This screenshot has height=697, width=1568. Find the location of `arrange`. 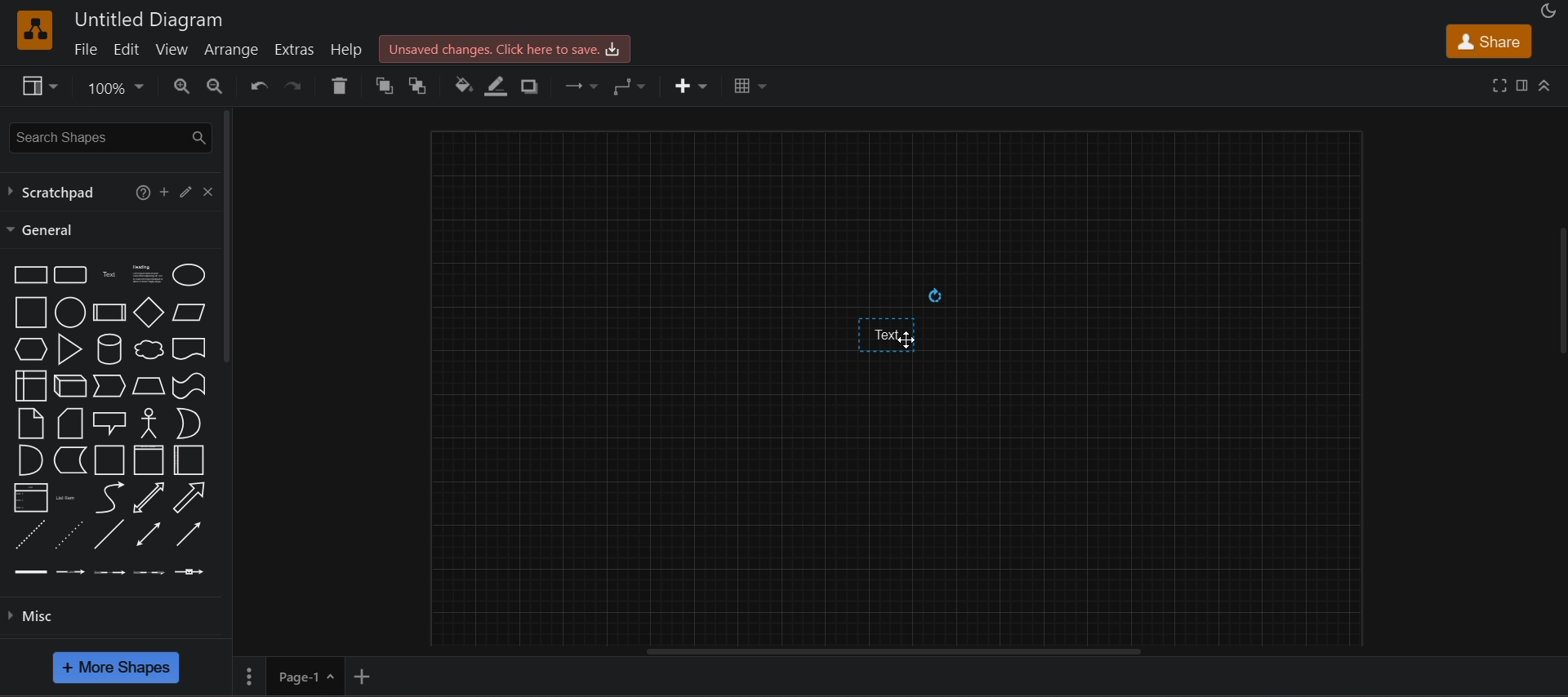

arrange is located at coordinates (233, 49).